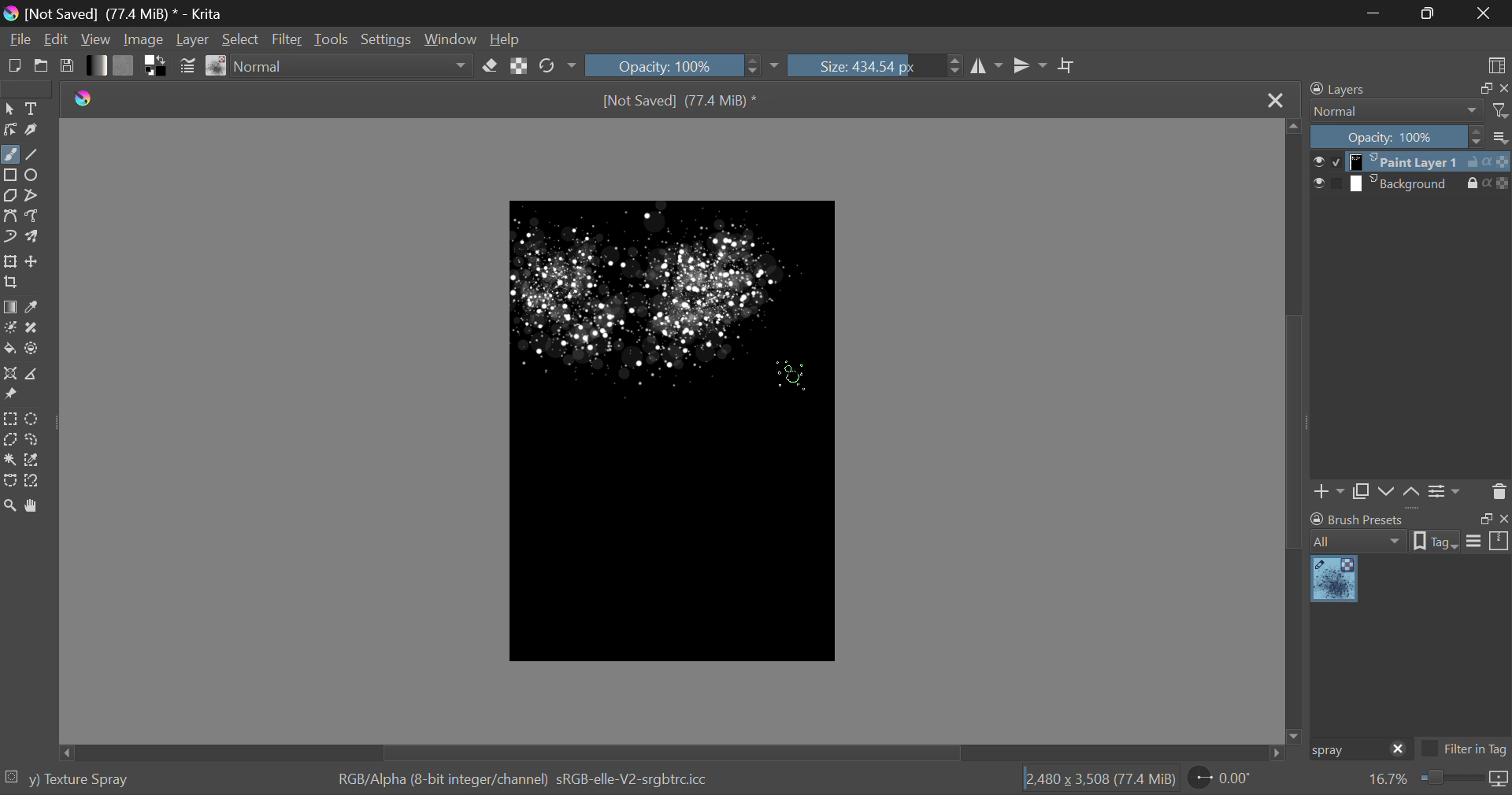 This screenshot has width=1512, height=795. Describe the element at coordinates (32, 350) in the screenshot. I see `Enclose and Fill` at that location.